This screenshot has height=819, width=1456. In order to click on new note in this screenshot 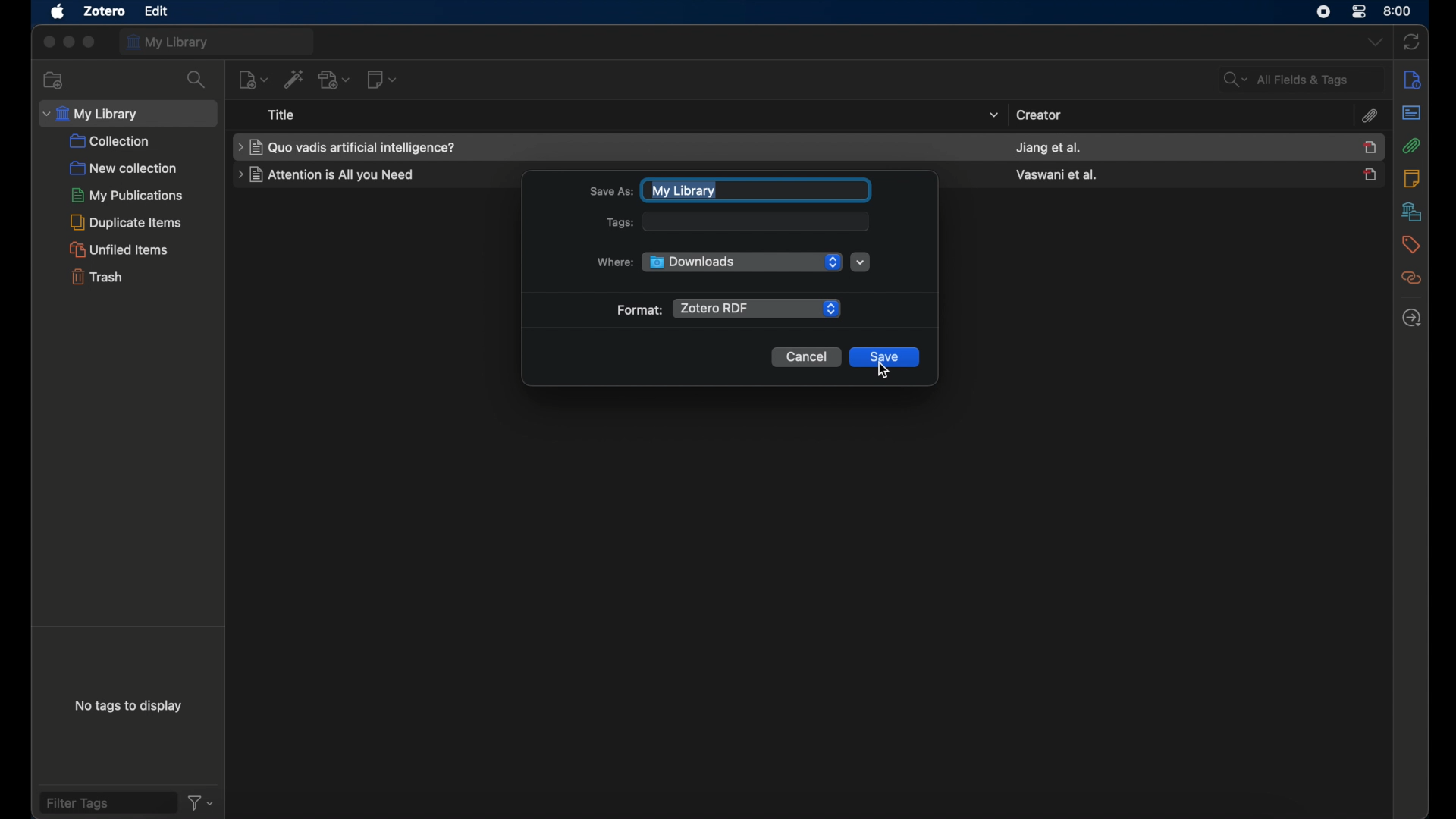, I will do `click(381, 80)`.